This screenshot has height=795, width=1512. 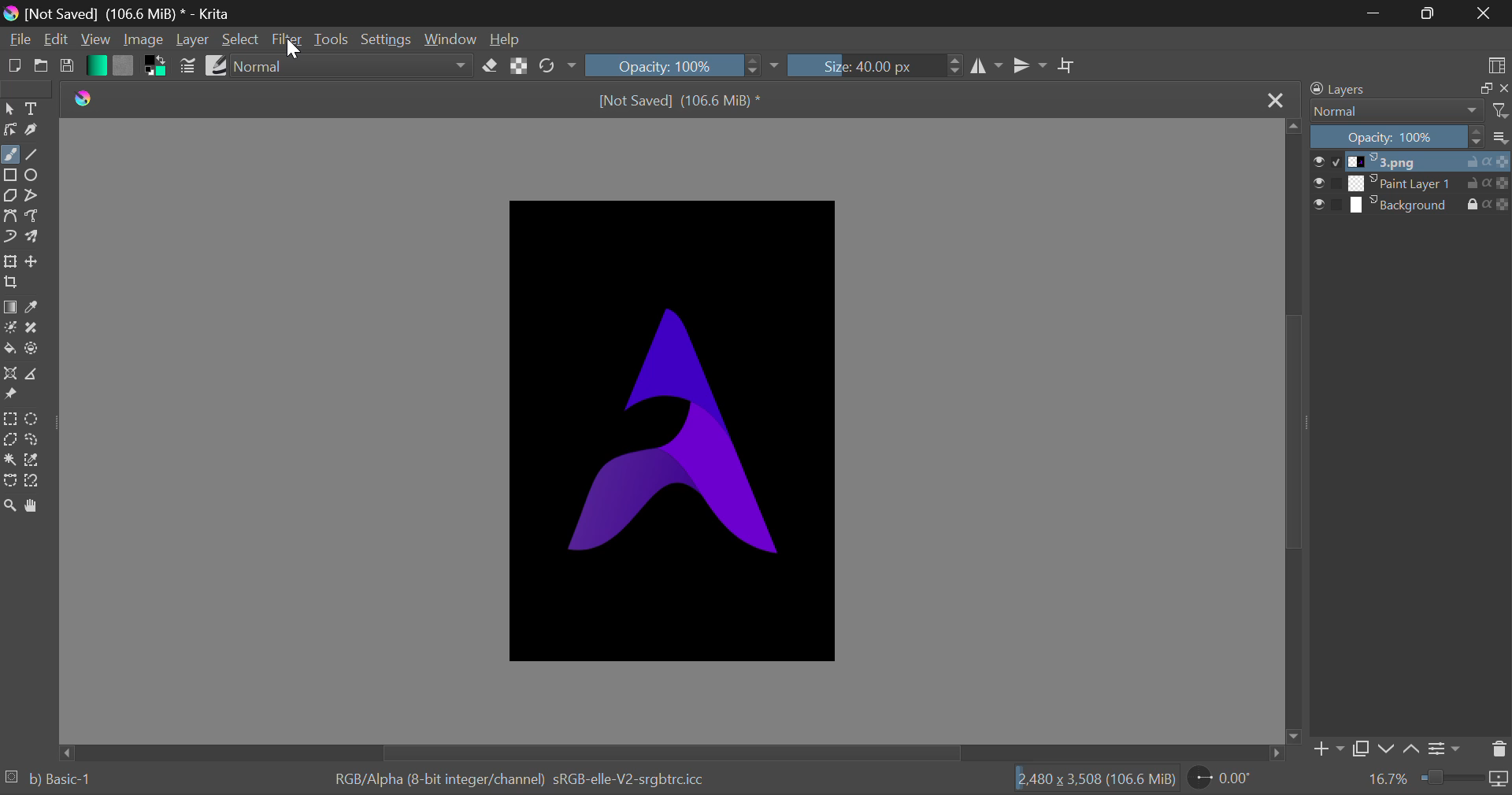 What do you see at coordinates (34, 417) in the screenshot?
I see `Circular Selection` at bounding box center [34, 417].